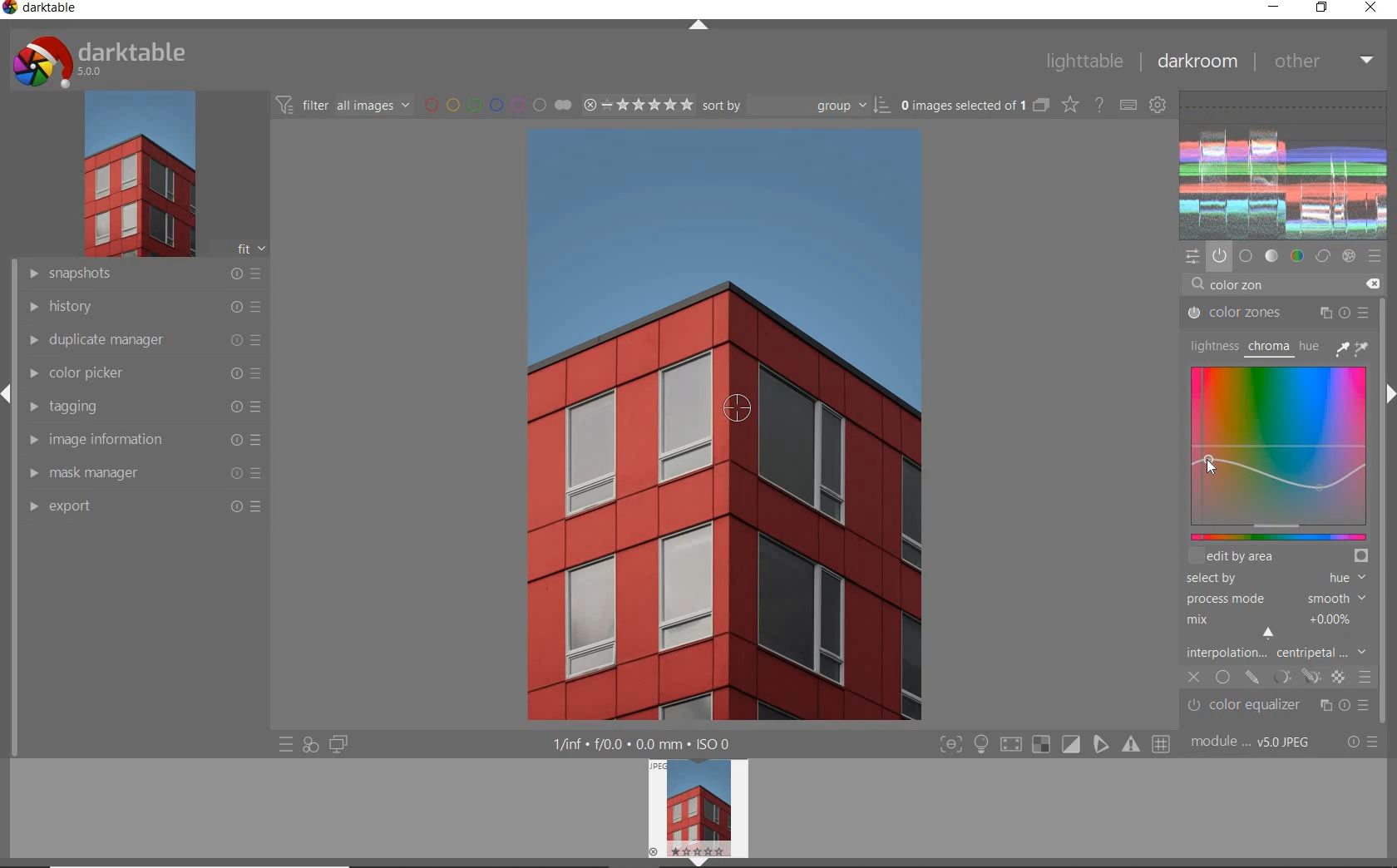 The width and height of the screenshot is (1397, 868). What do you see at coordinates (1083, 62) in the screenshot?
I see `lighttable` at bounding box center [1083, 62].